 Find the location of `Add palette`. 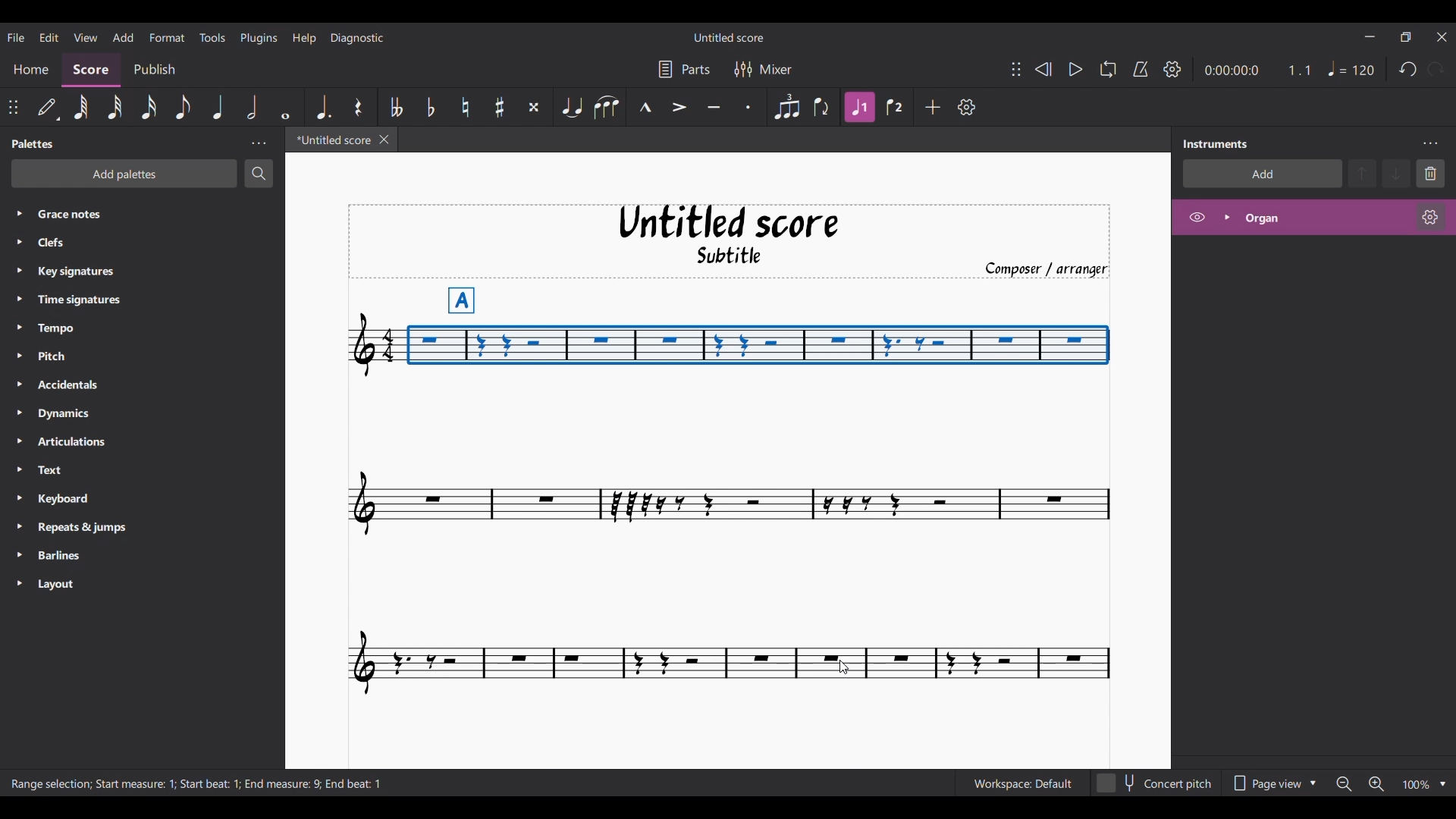

Add palette is located at coordinates (124, 174).